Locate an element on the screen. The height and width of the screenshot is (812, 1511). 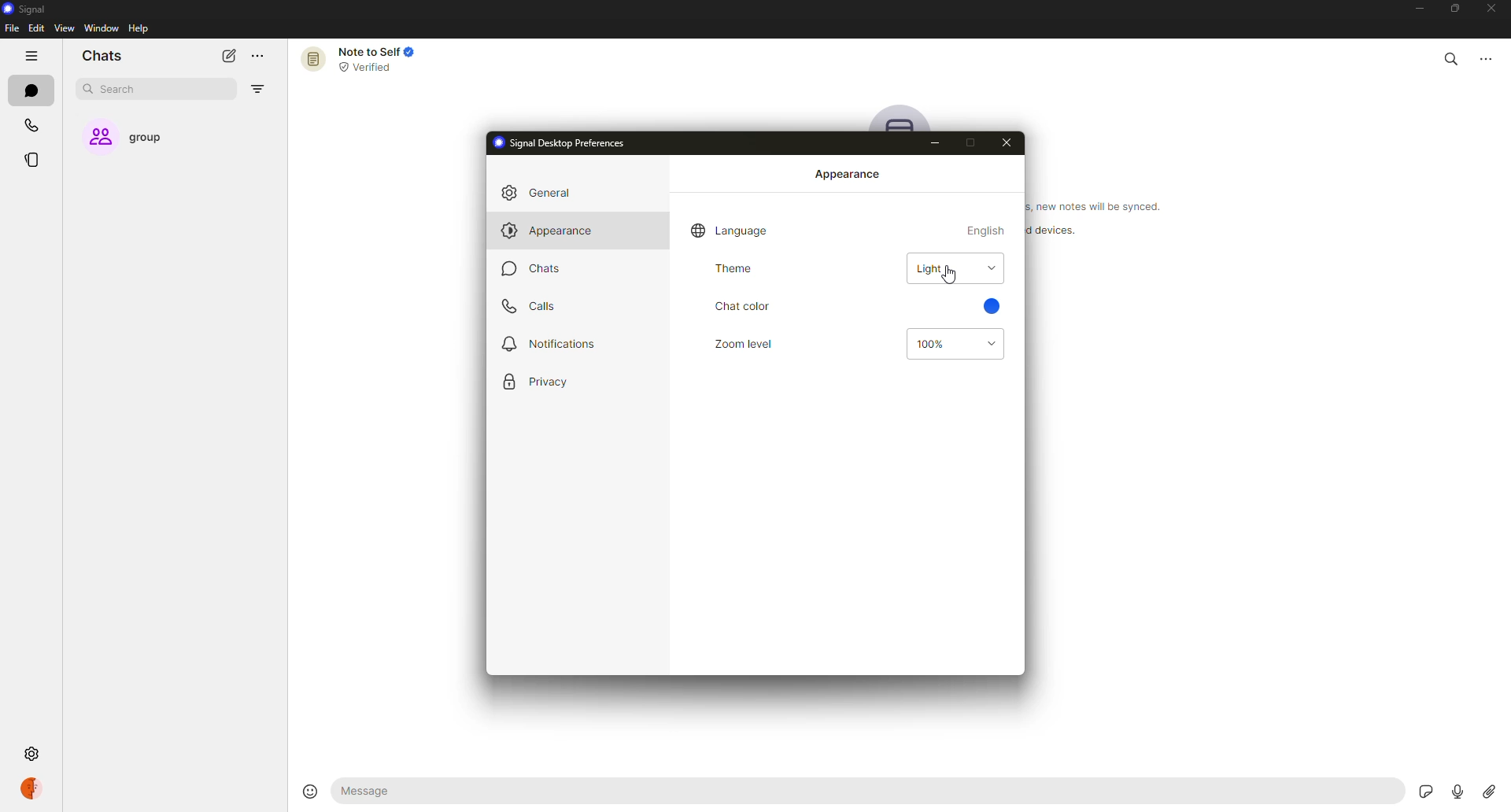
chats is located at coordinates (35, 92).